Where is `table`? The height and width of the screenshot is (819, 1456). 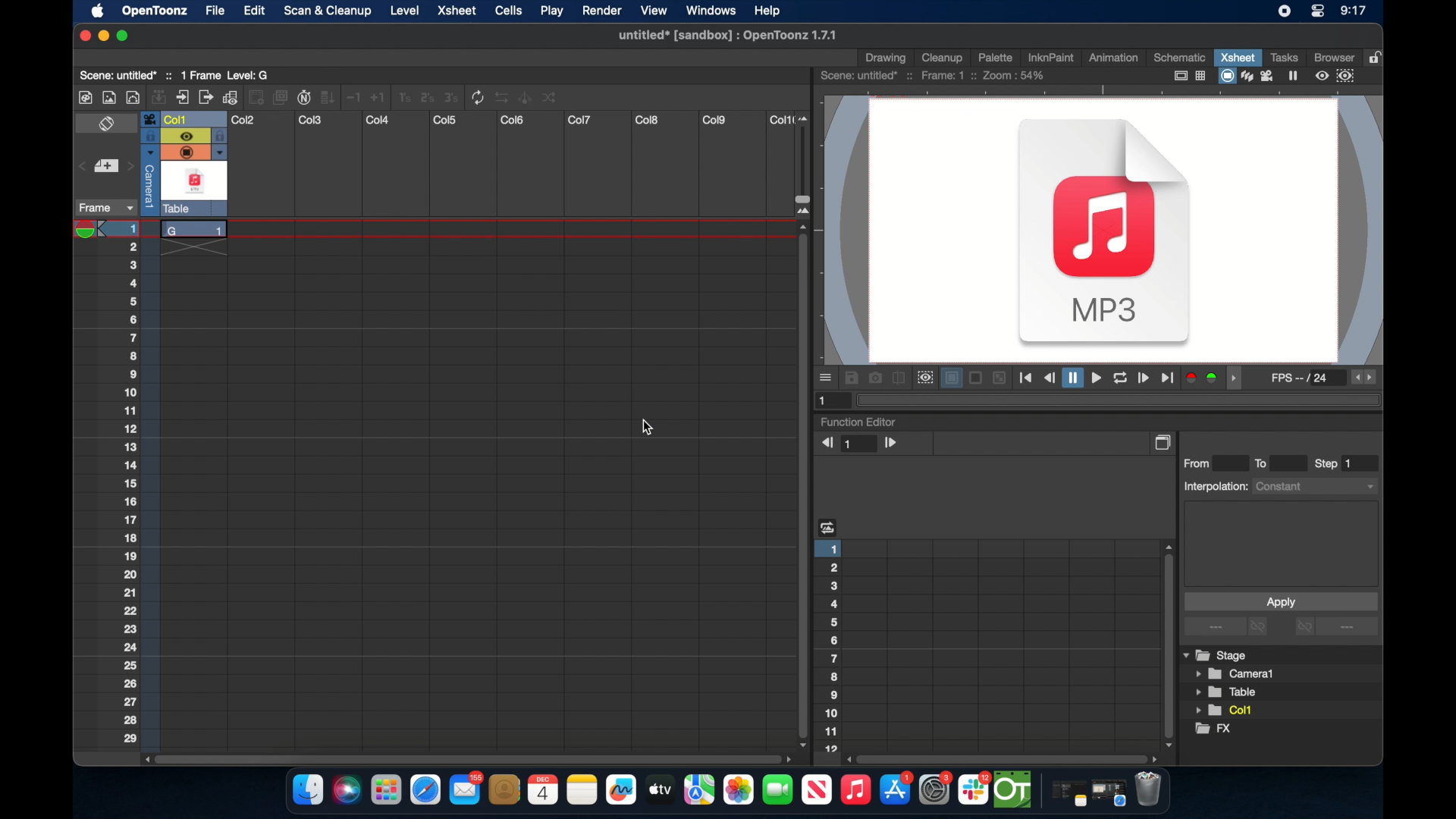
table is located at coordinates (1227, 693).